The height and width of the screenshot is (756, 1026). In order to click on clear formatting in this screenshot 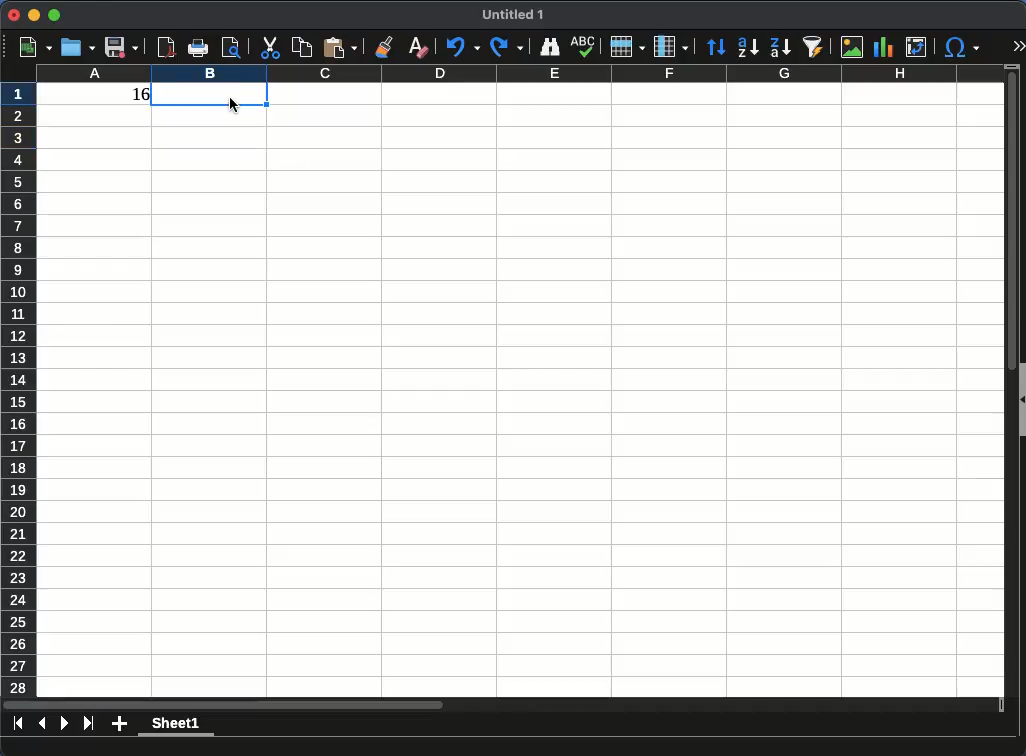, I will do `click(417, 48)`.